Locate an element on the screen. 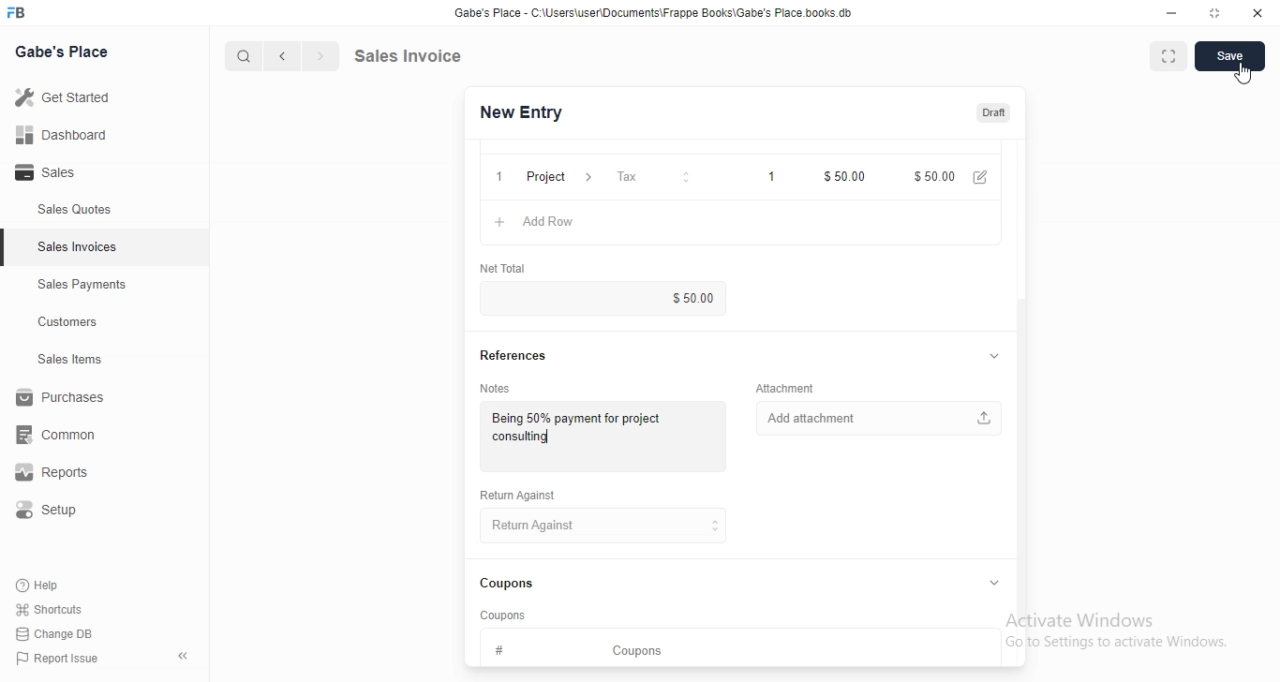 This screenshot has height=682, width=1280. 1 is located at coordinates (762, 175).